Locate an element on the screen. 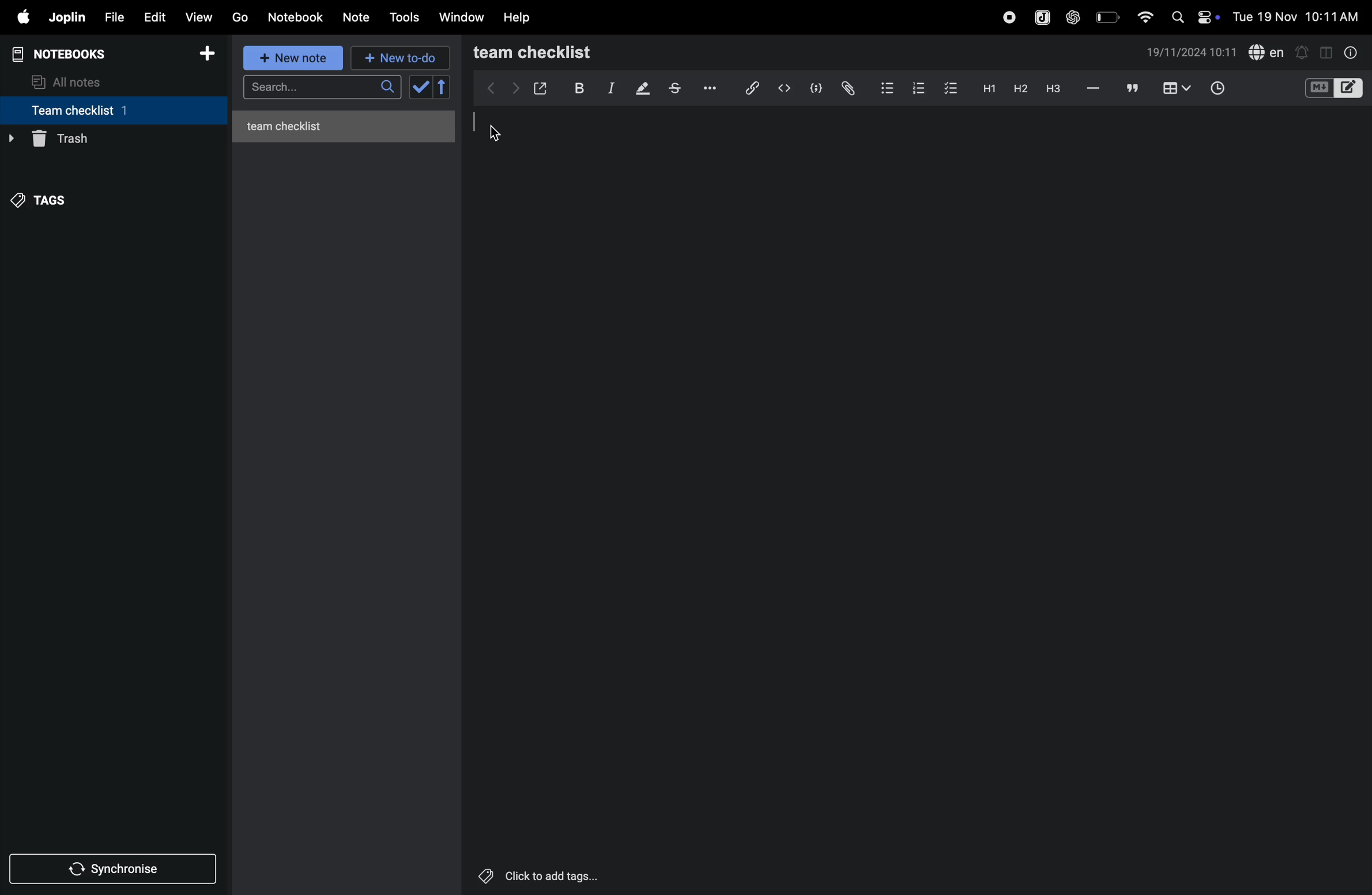 Image resolution: width=1372 pixels, height=895 pixels. comments is located at coordinates (1130, 89).